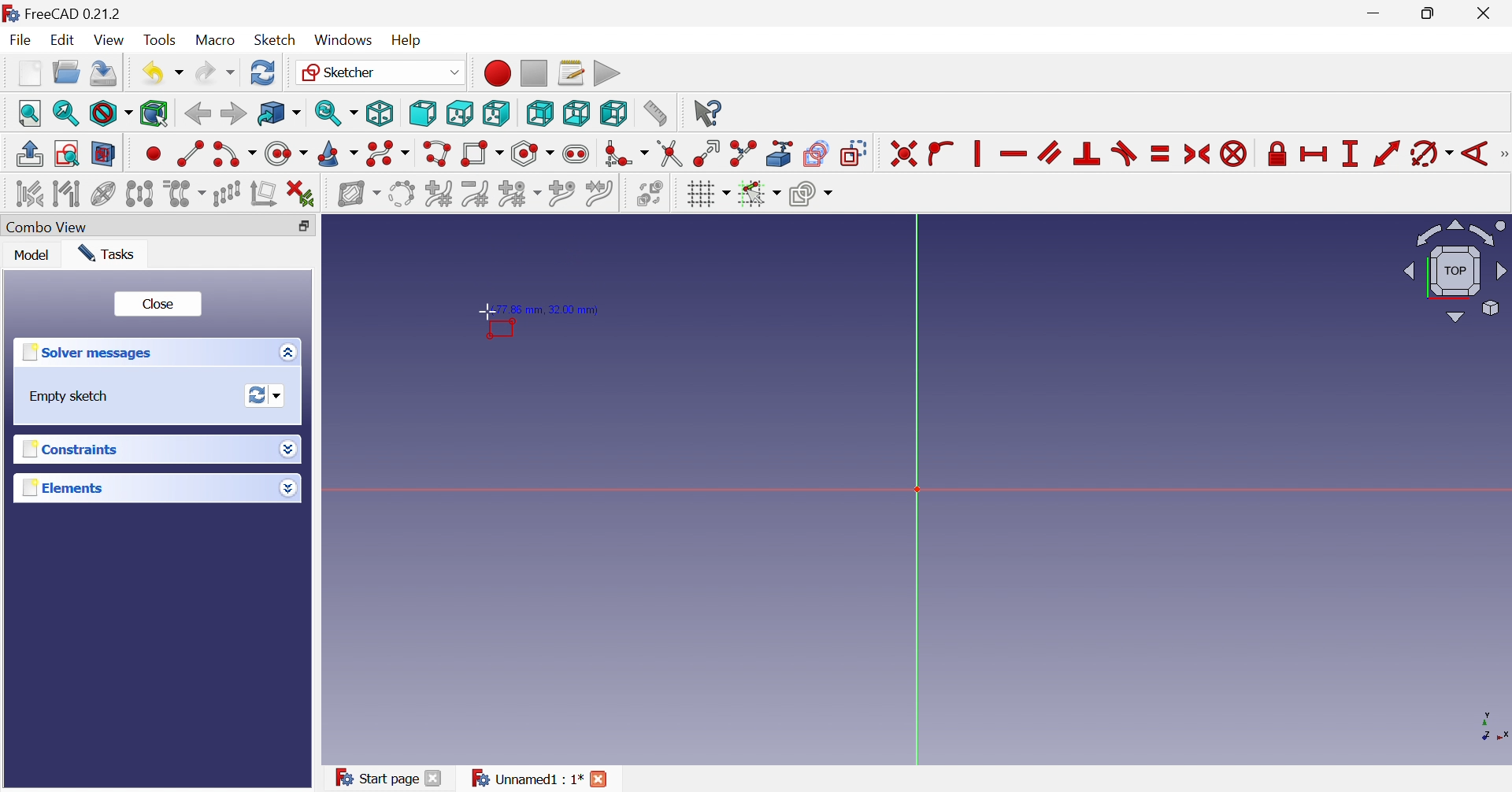 The image size is (1512, 792). Describe the element at coordinates (70, 397) in the screenshot. I see `Empty sketch` at that location.